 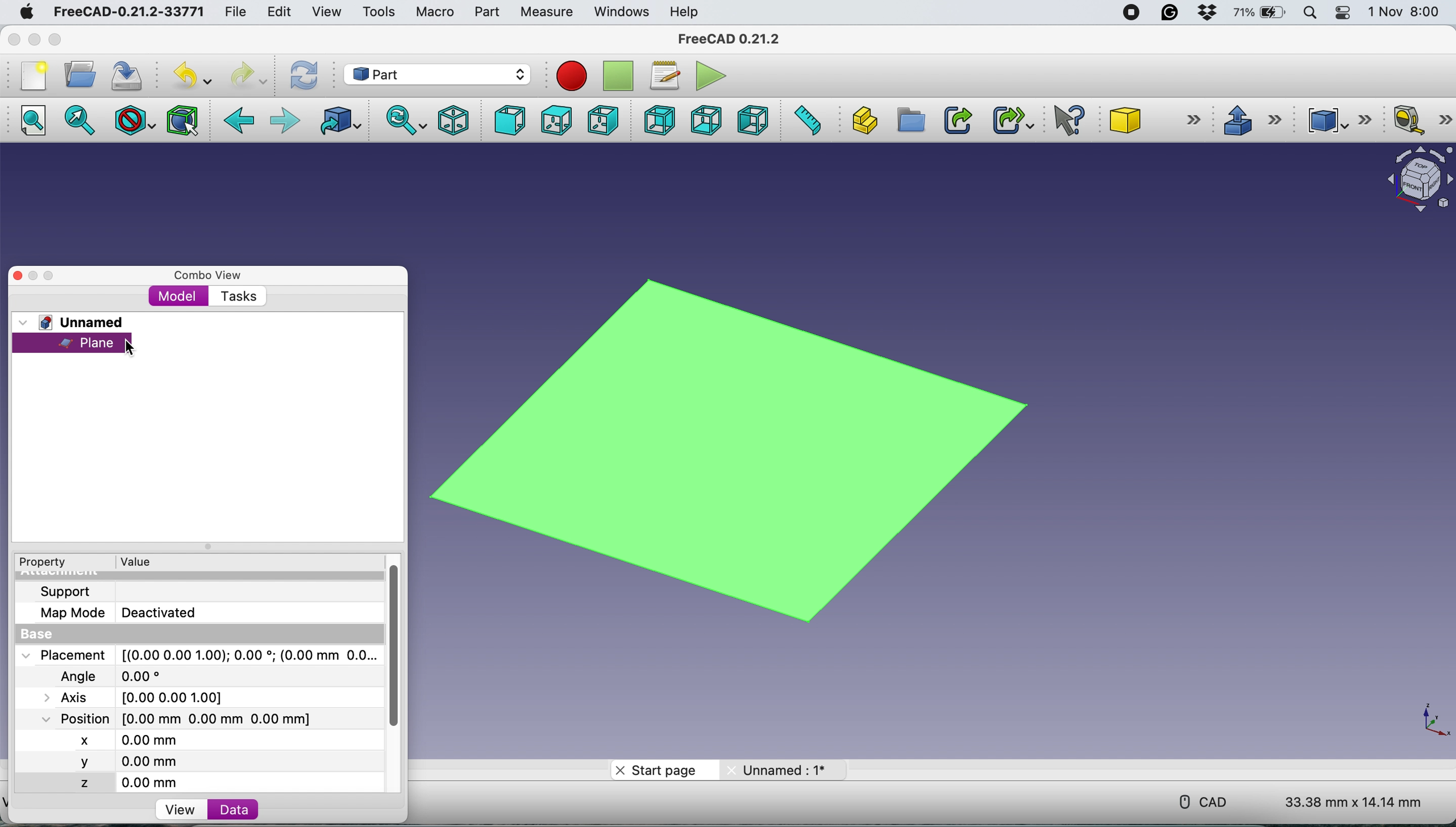 I want to click on rear, so click(x=659, y=119).